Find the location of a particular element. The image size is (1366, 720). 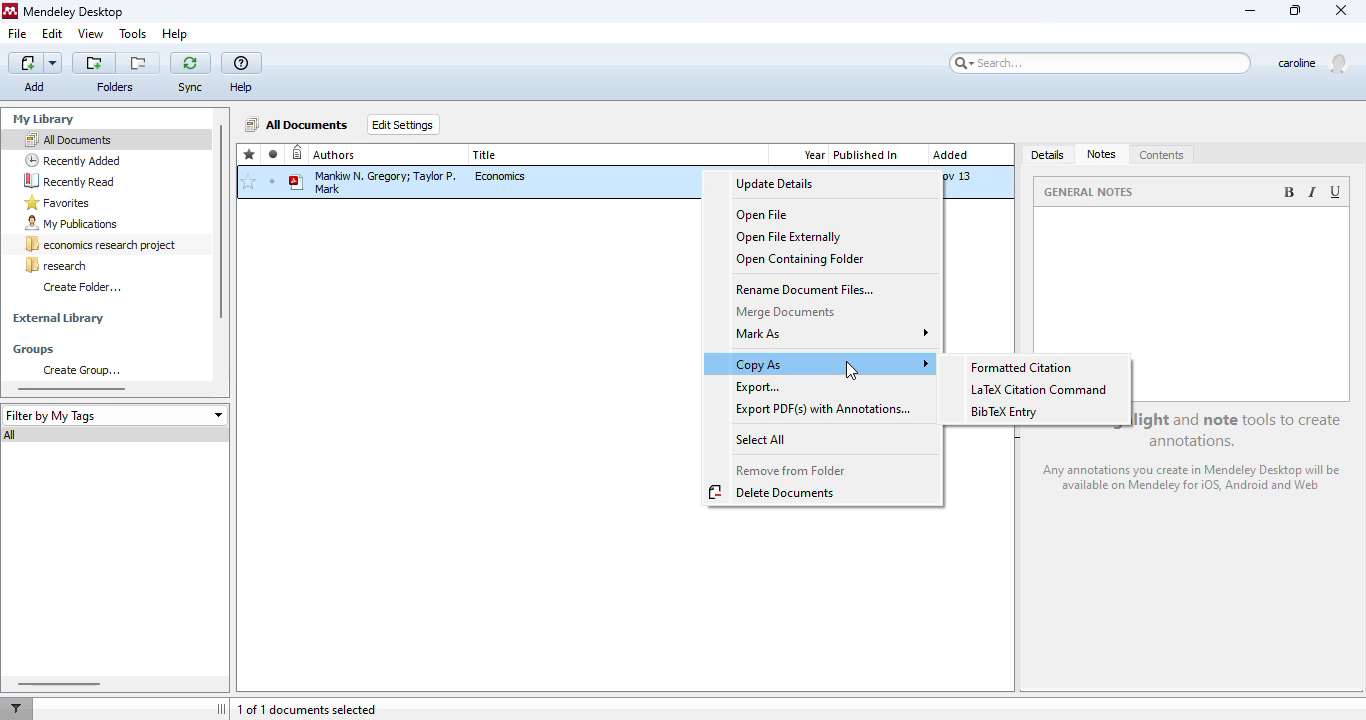

unread is located at coordinates (272, 181).